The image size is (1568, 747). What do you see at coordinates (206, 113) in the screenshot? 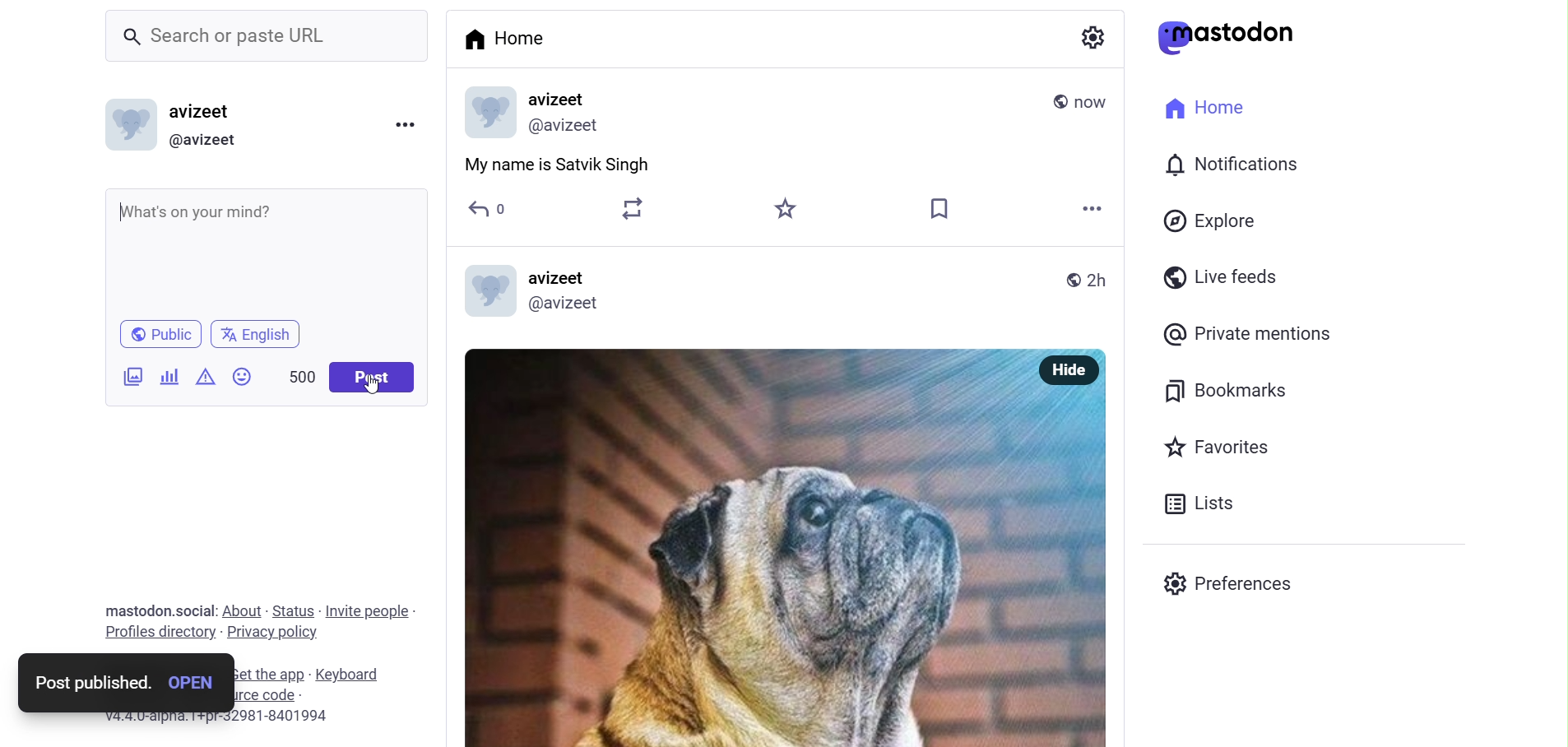
I see `avizeet` at bounding box center [206, 113].